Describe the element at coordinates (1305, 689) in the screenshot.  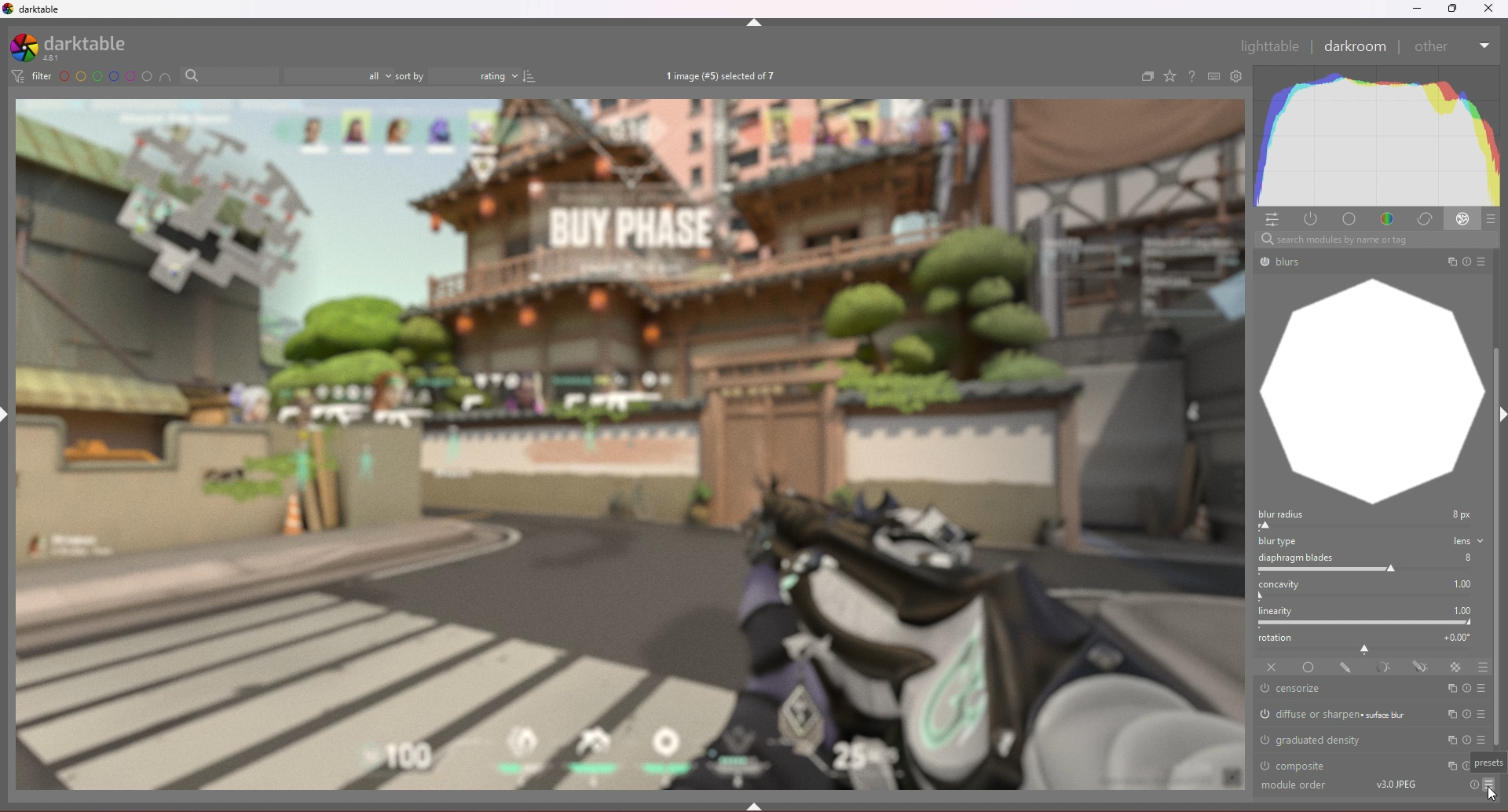
I see `censorize` at that location.